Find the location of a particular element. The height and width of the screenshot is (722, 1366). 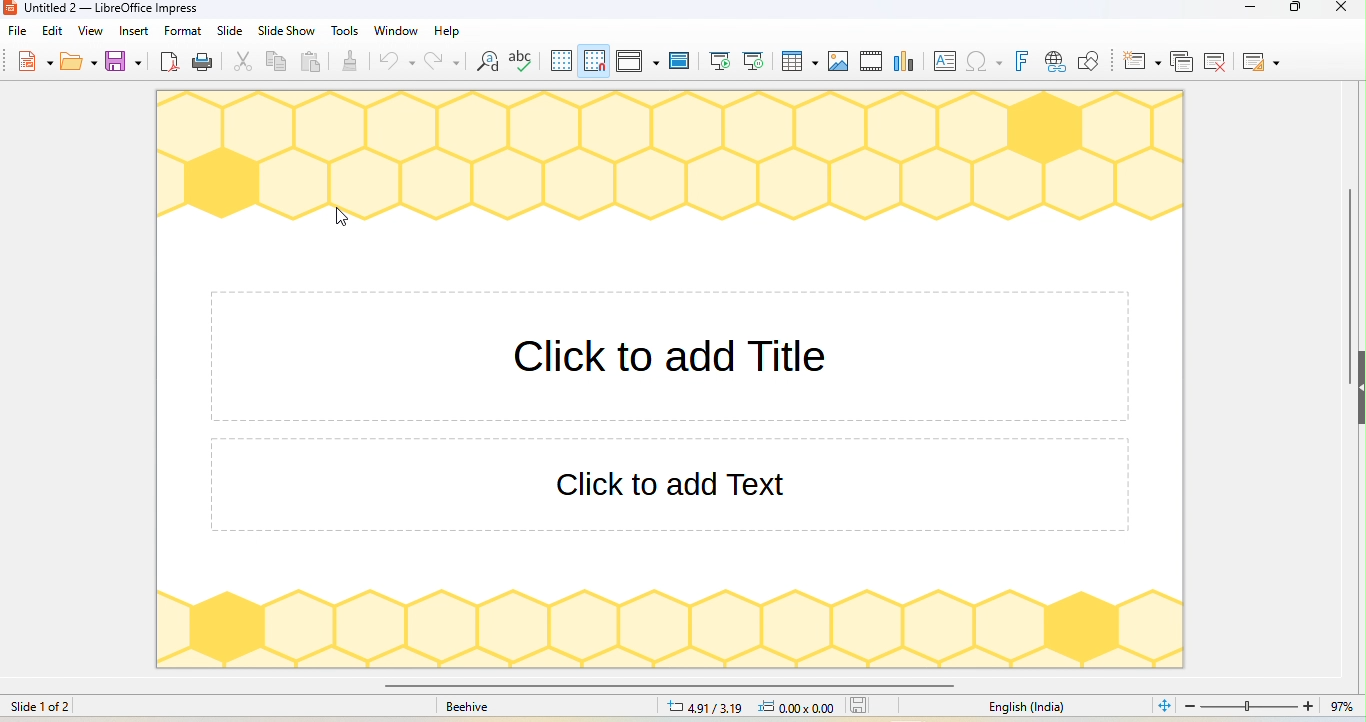

print is located at coordinates (204, 63).